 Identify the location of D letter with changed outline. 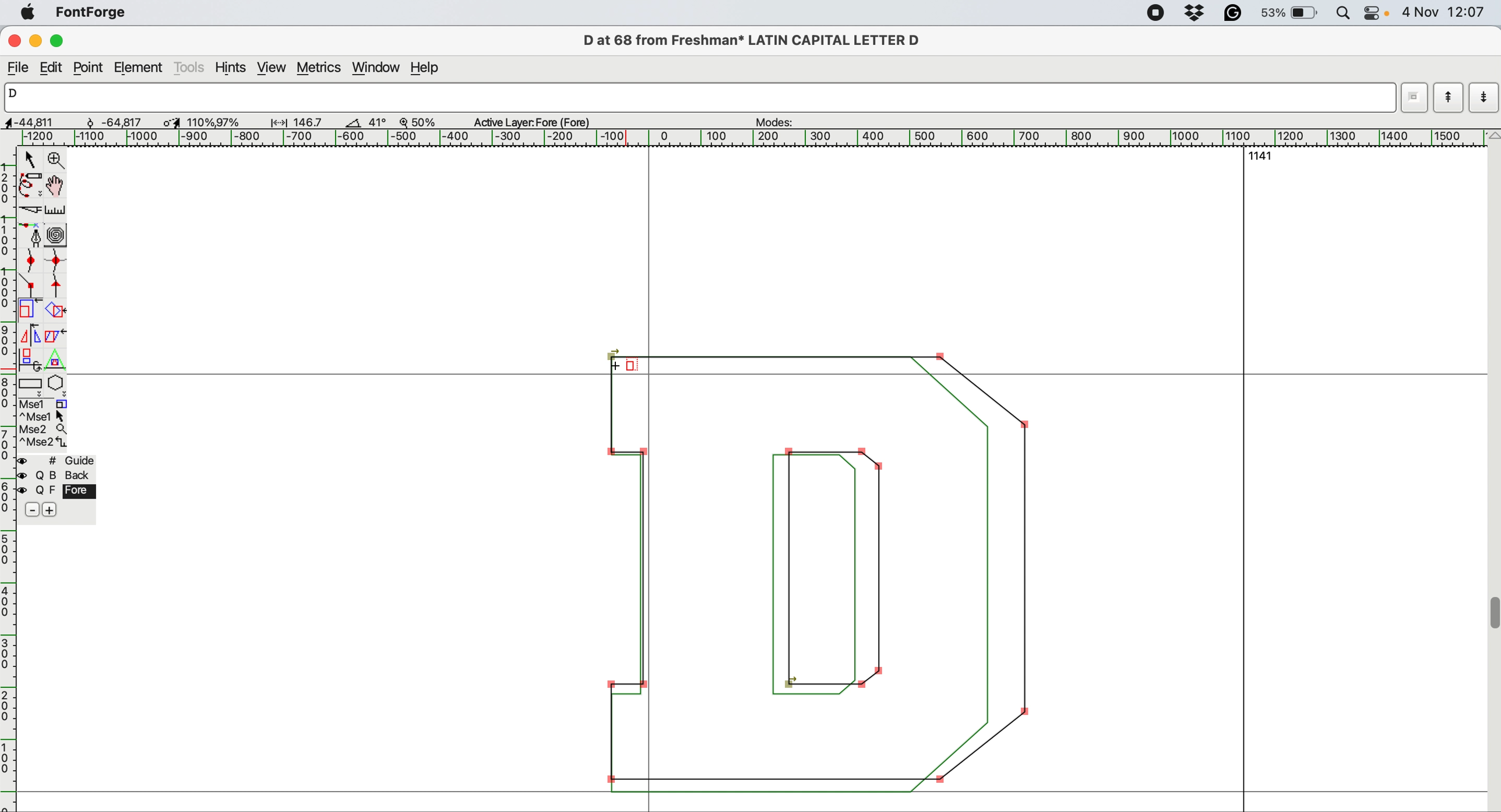
(824, 576).